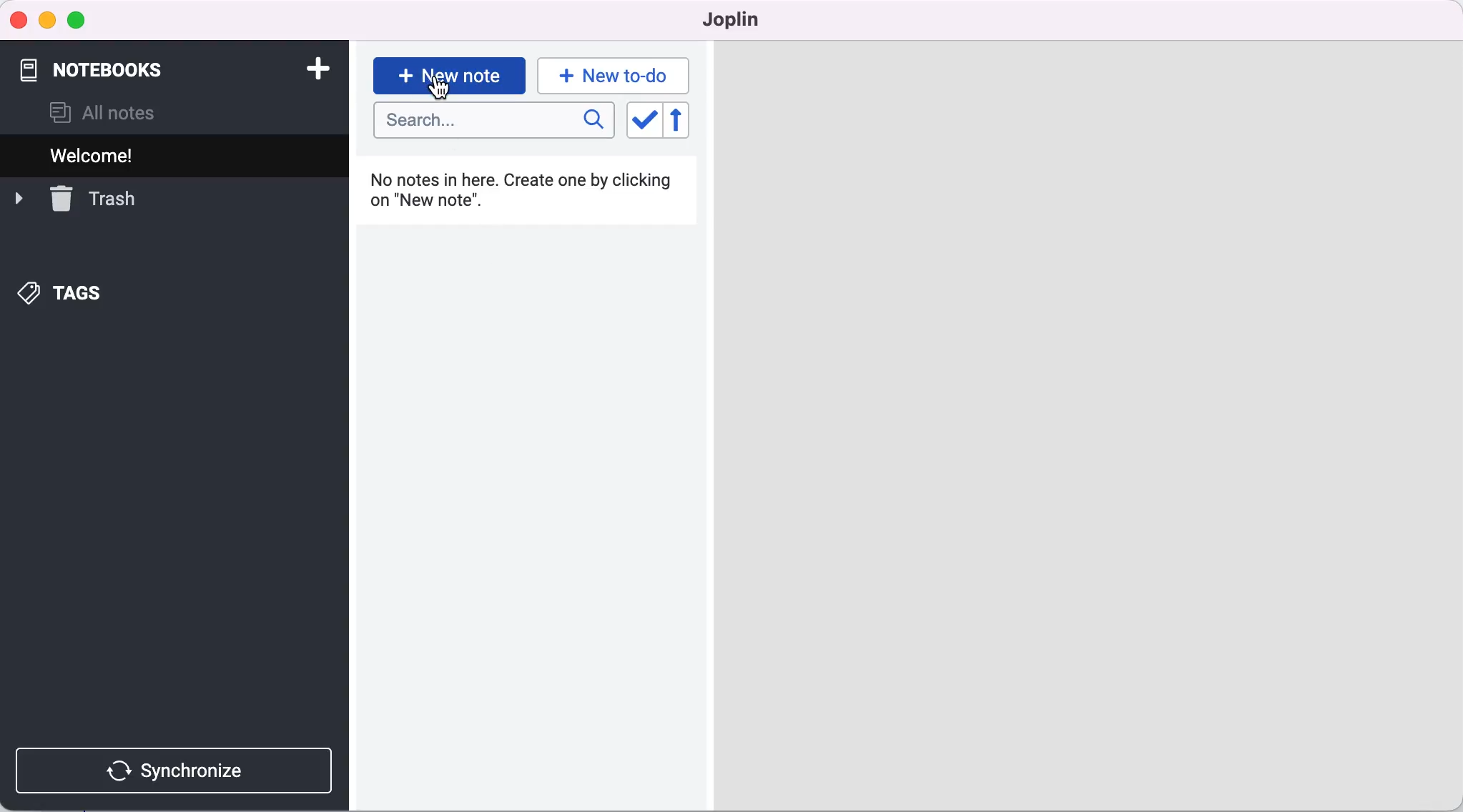  What do you see at coordinates (94, 199) in the screenshot?
I see `trash` at bounding box center [94, 199].